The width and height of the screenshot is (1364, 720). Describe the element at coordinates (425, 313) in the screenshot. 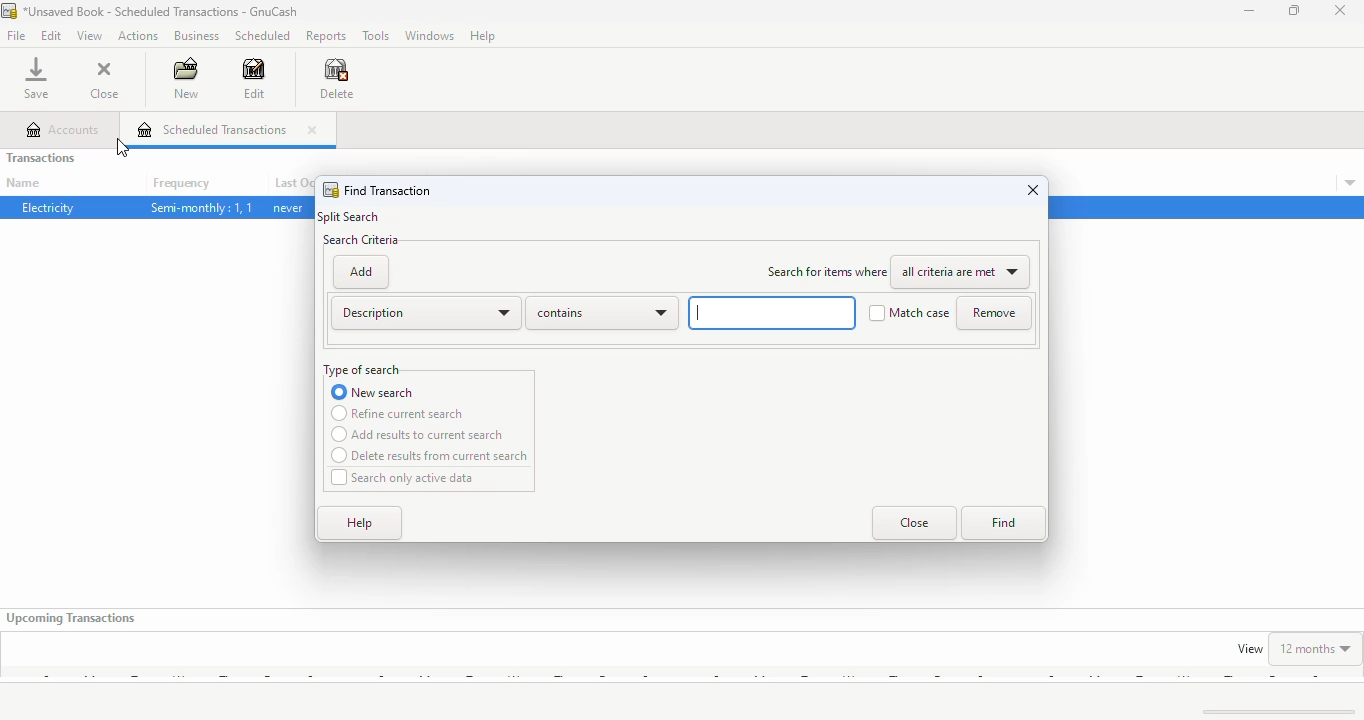

I see `description` at that location.